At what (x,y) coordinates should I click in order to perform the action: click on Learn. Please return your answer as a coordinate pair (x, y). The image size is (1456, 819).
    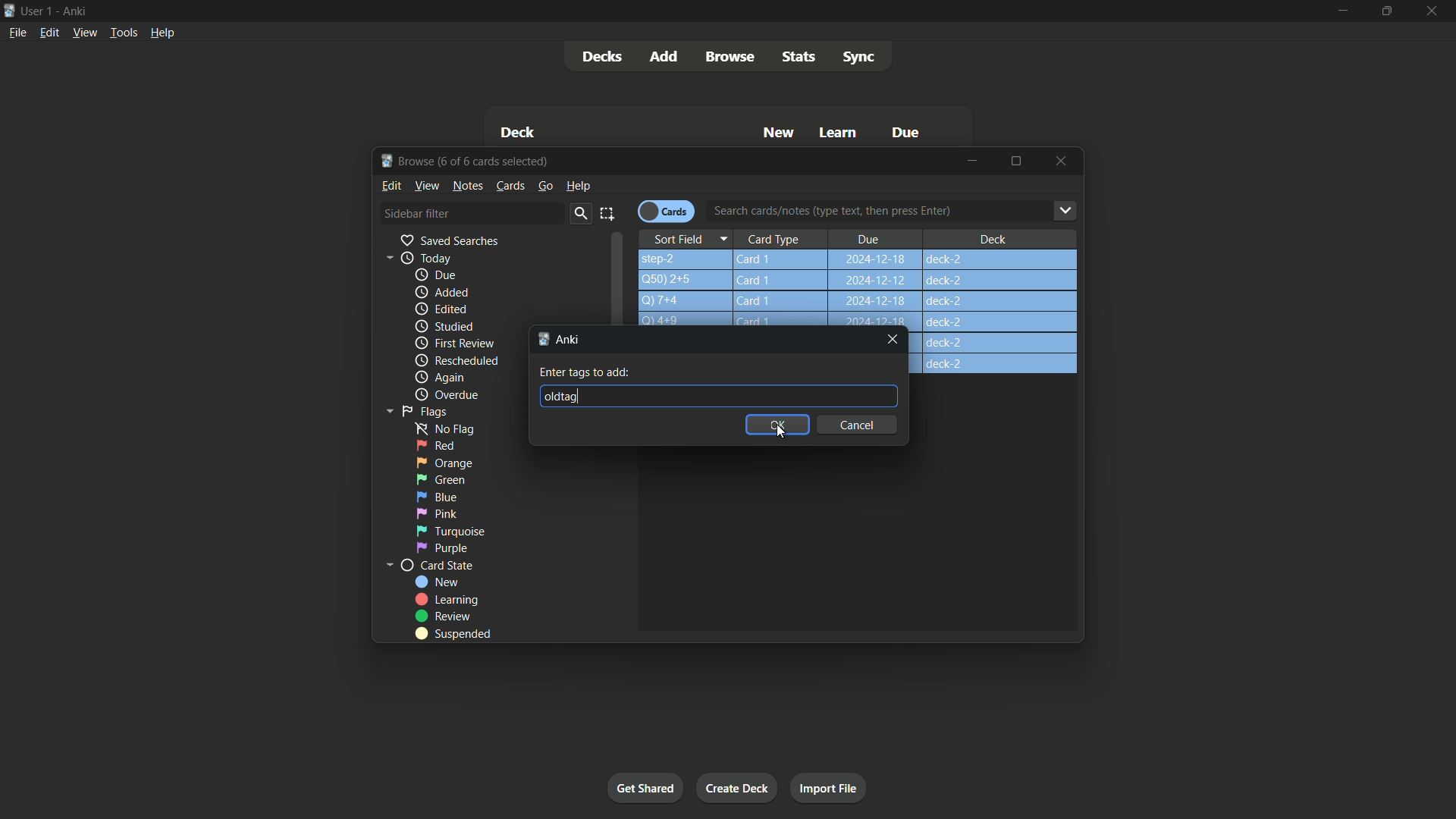
    Looking at the image, I should click on (839, 134).